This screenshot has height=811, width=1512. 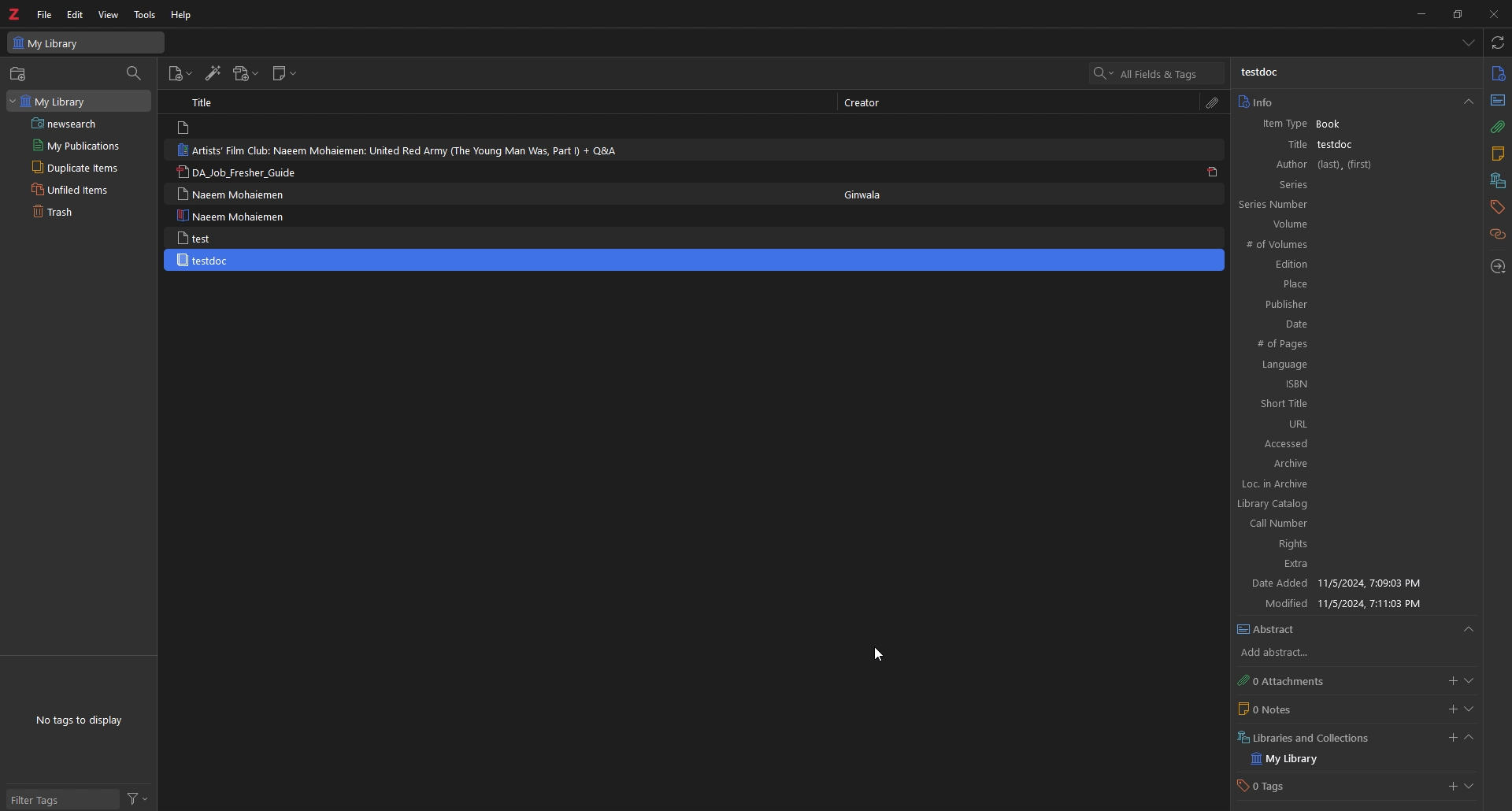 I want to click on filter, so click(x=138, y=799).